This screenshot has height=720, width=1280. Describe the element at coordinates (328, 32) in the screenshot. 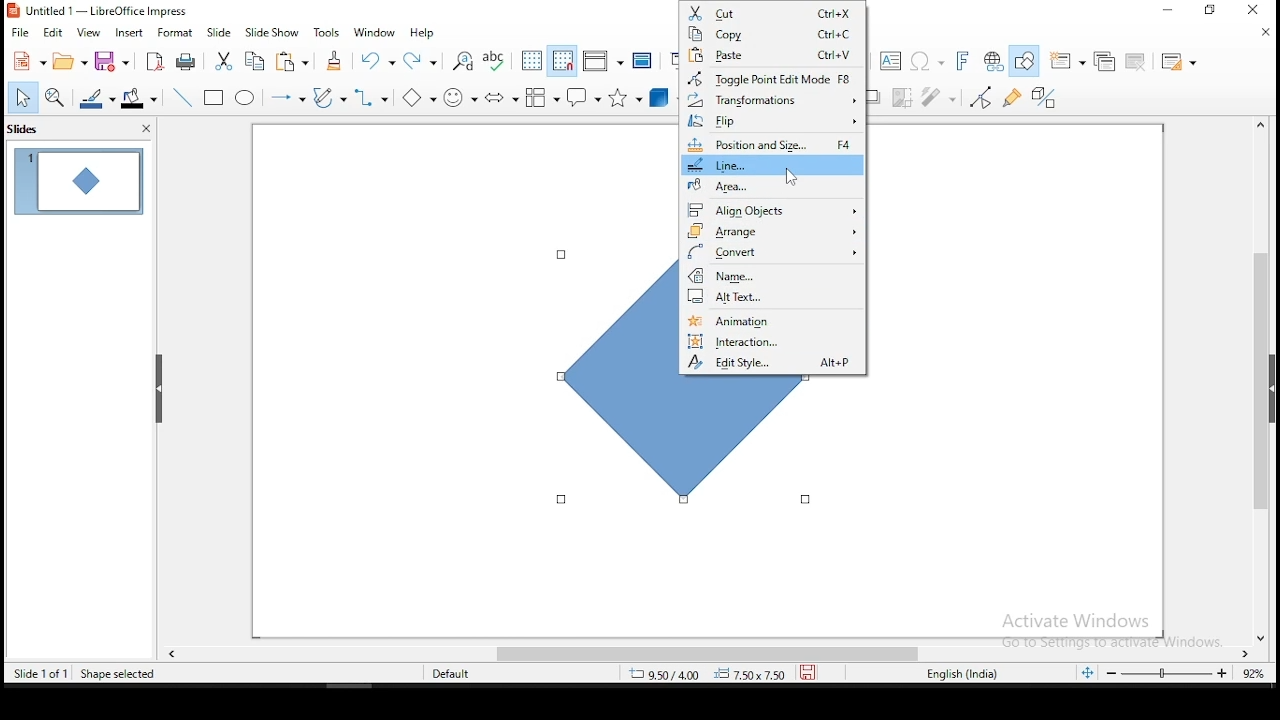

I see `tools` at that location.